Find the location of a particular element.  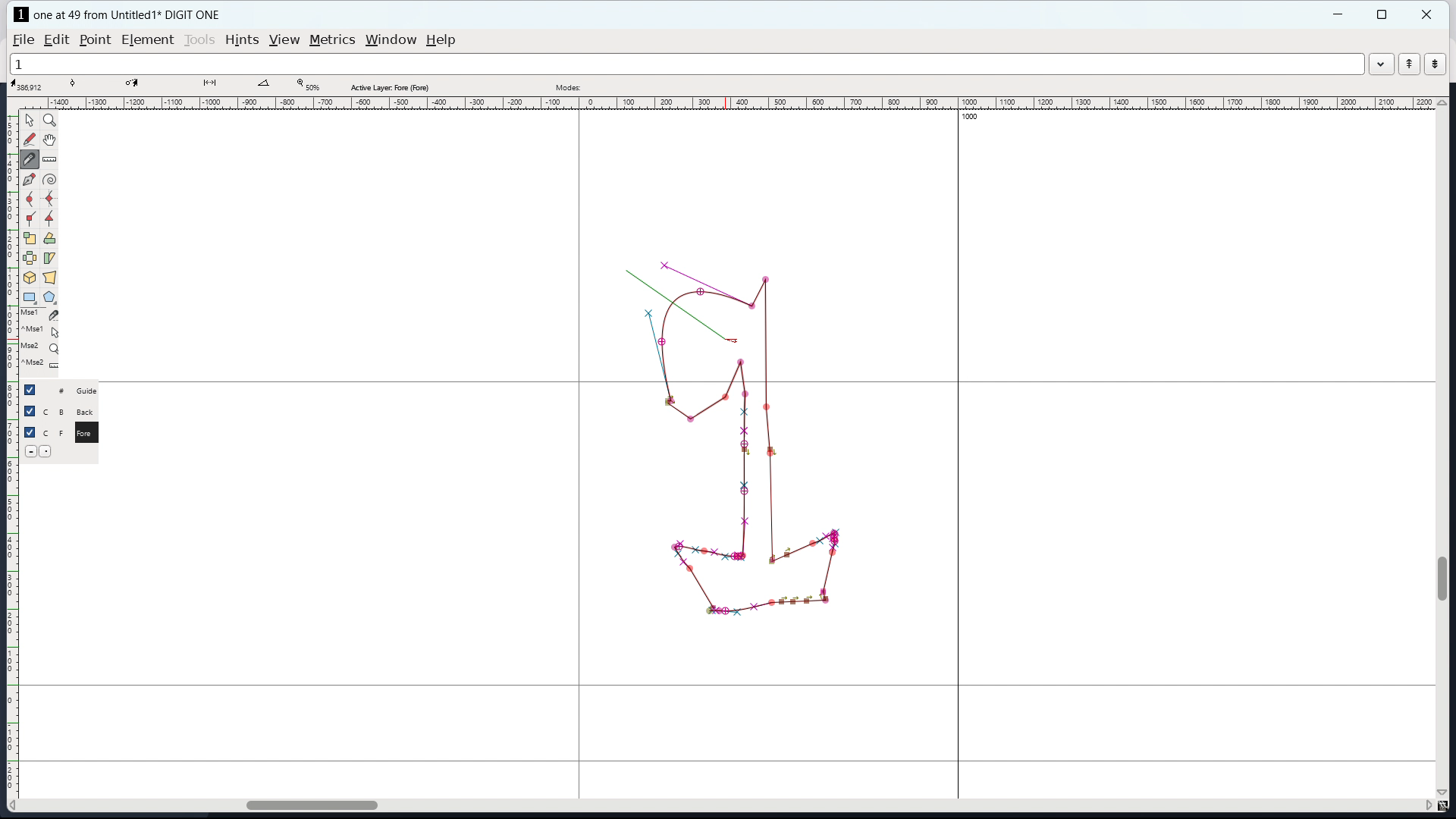

# is located at coordinates (55, 391).